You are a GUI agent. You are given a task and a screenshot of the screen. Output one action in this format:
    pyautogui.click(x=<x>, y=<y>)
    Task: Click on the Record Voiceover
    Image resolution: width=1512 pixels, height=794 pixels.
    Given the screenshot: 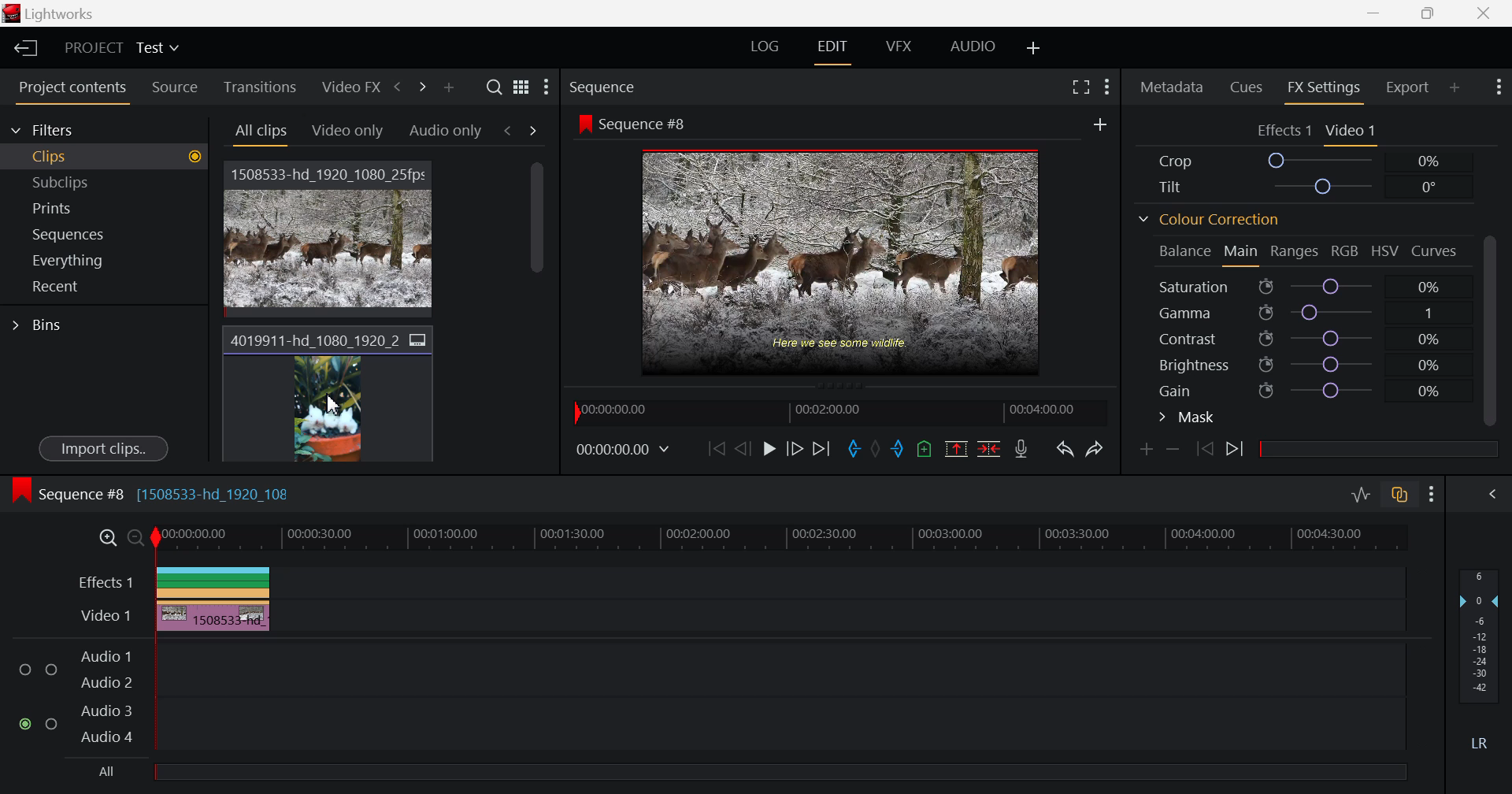 What is the action you would take?
    pyautogui.click(x=1022, y=451)
    